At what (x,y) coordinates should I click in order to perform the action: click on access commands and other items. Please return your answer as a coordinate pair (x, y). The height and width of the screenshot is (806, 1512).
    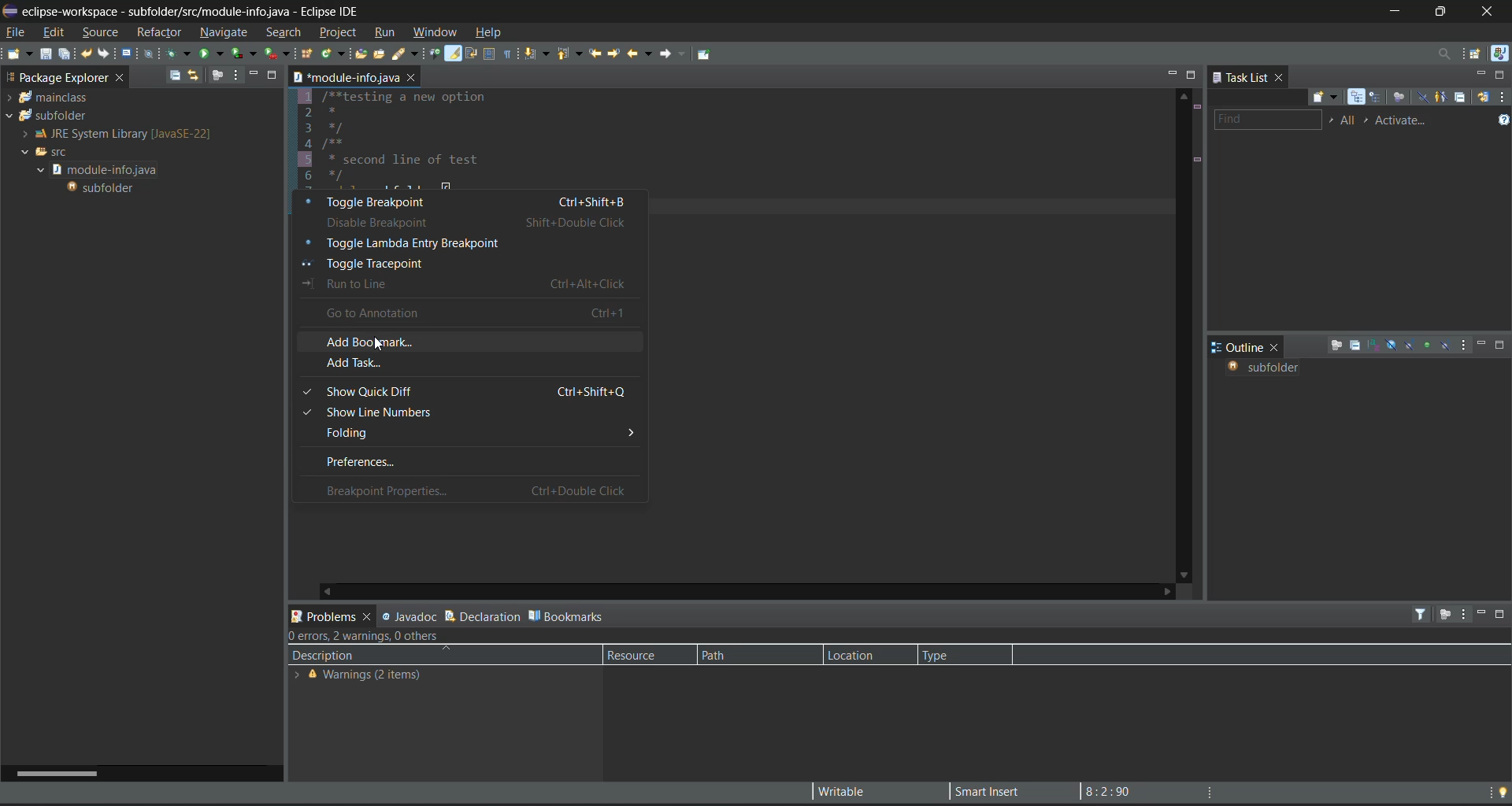
    Looking at the image, I should click on (1443, 54).